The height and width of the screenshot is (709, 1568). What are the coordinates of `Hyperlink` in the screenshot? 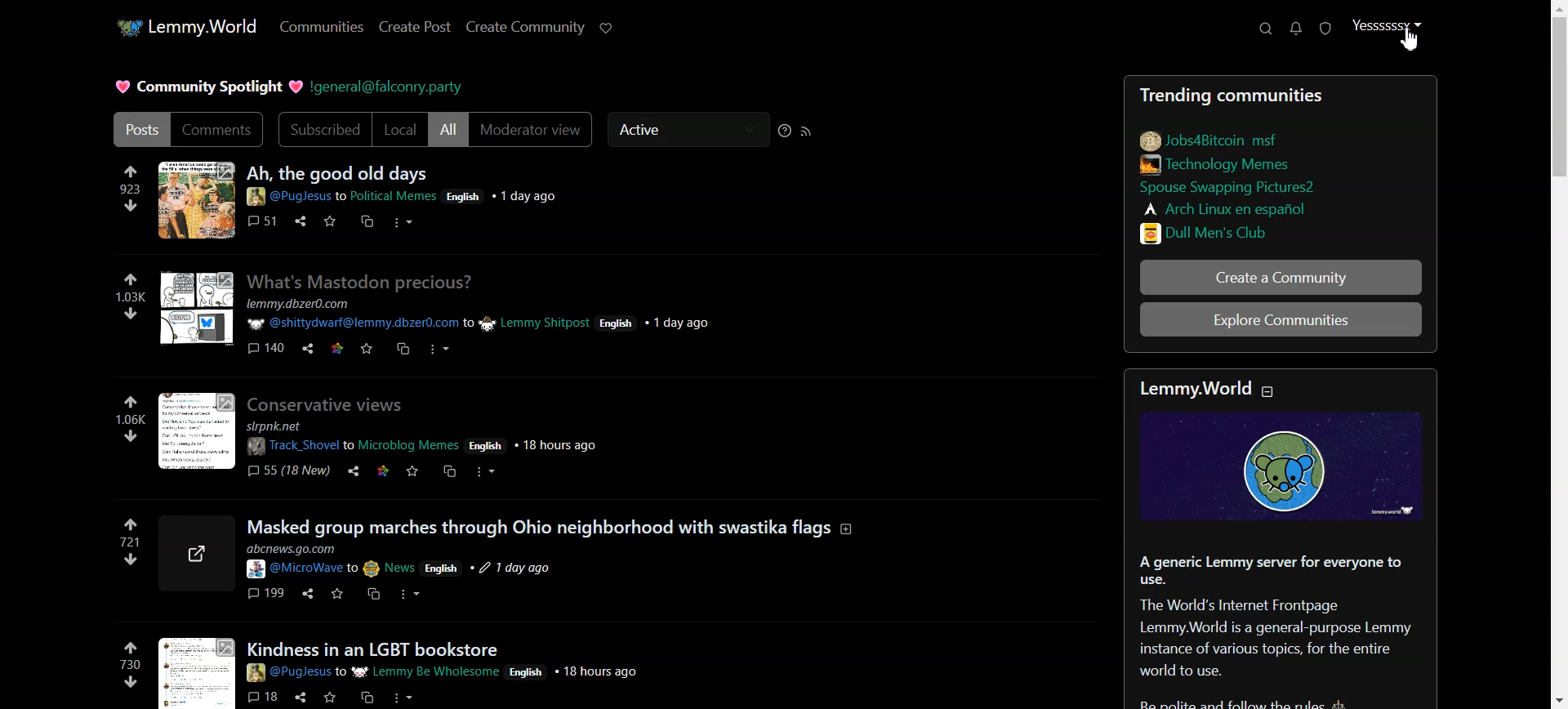 It's located at (389, 85).